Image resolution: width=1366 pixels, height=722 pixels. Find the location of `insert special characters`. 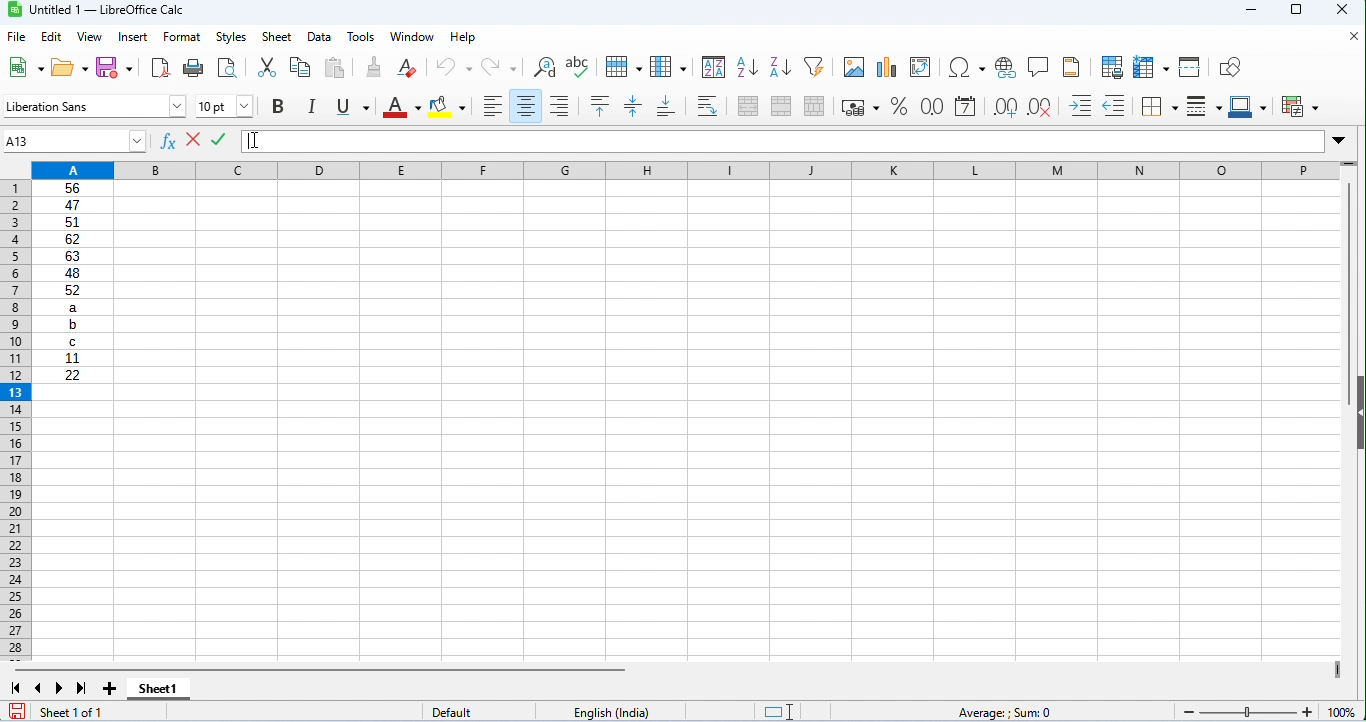

insert special characters is located at coordinates (967, 68).